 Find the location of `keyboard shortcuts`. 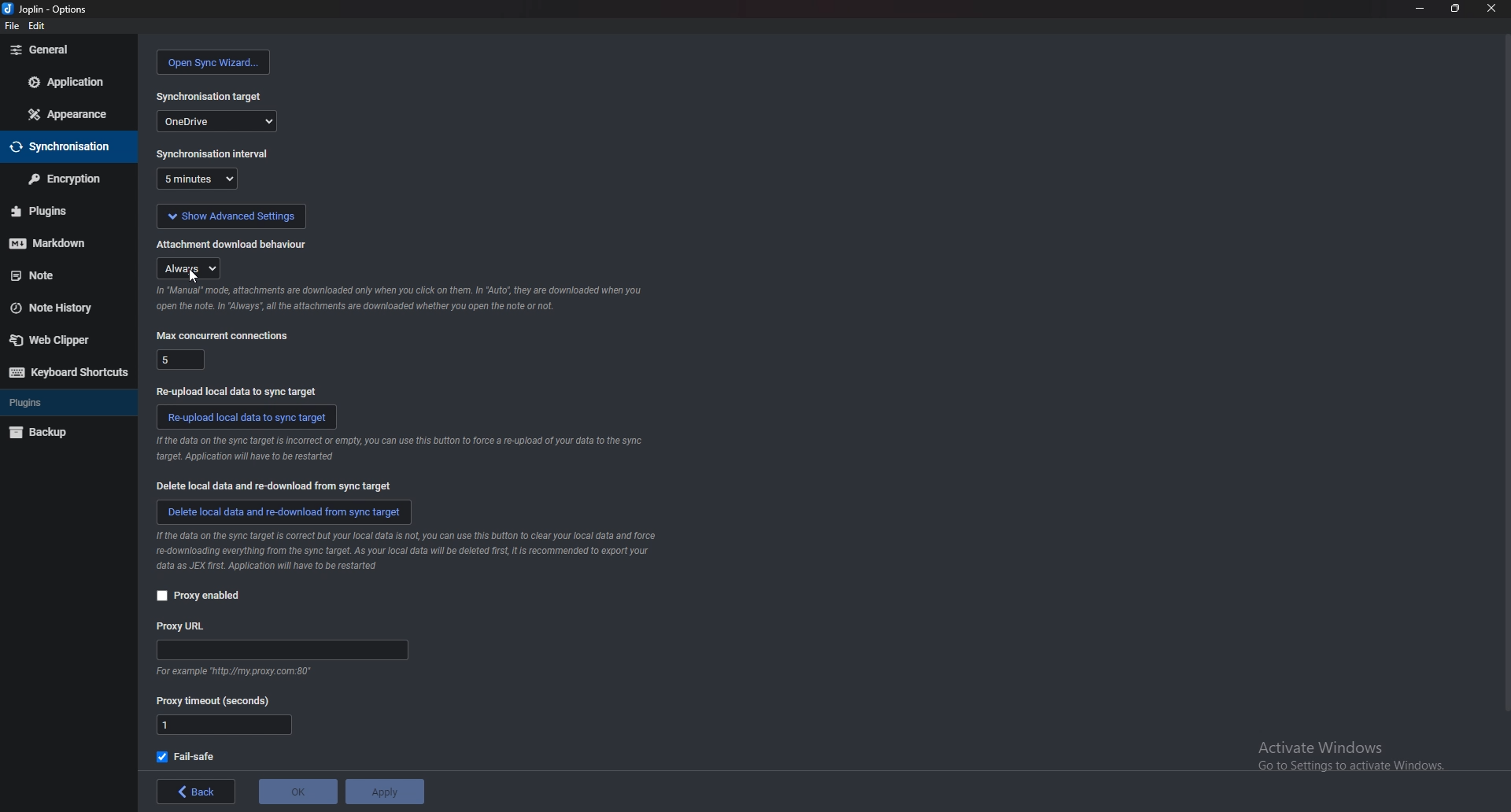

keyboard shortcuts is located at coordinates (65, 371).